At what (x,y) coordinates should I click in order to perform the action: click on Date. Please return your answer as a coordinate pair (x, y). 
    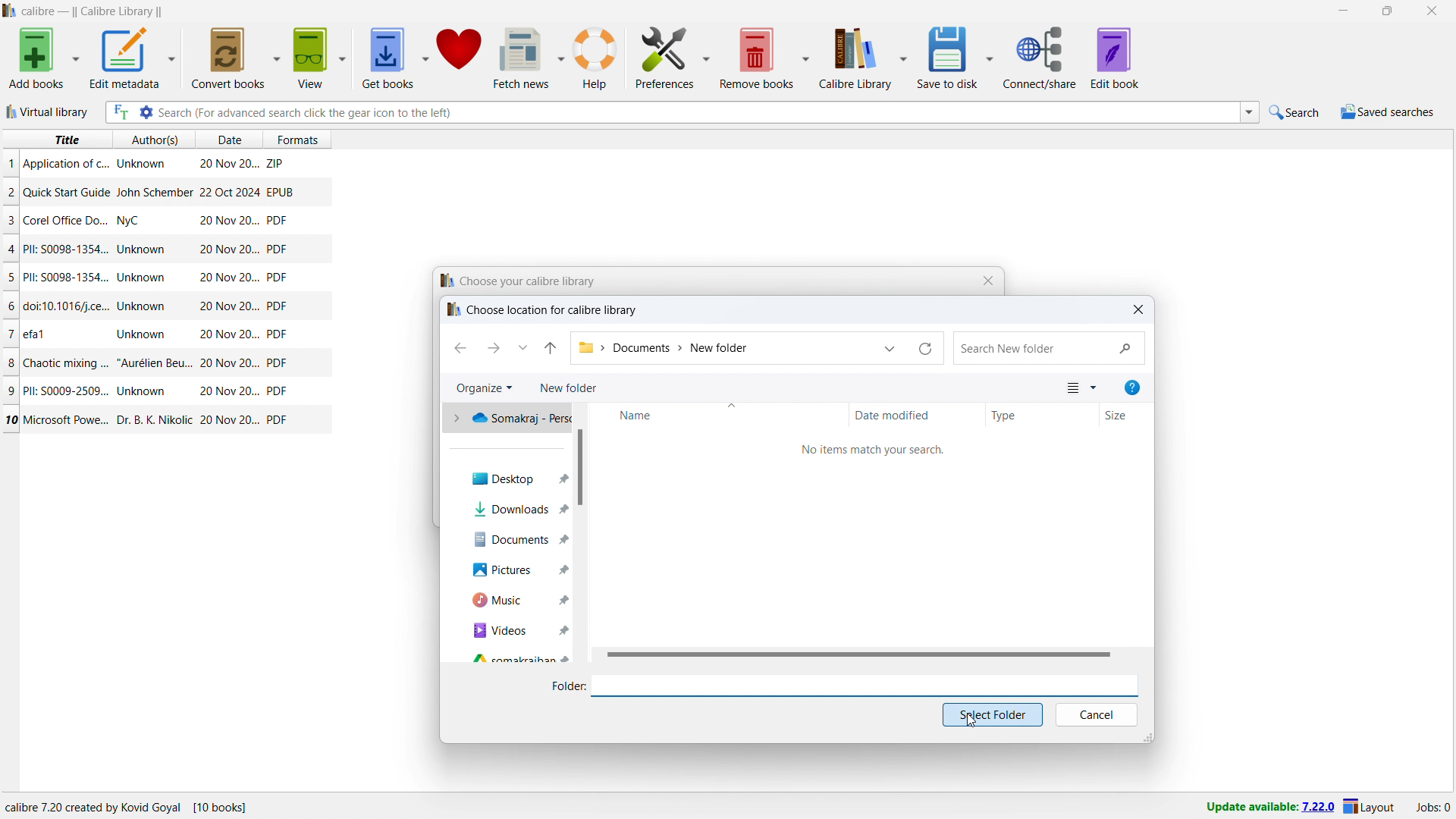
    Looking at the image, I should click on (231, 363).